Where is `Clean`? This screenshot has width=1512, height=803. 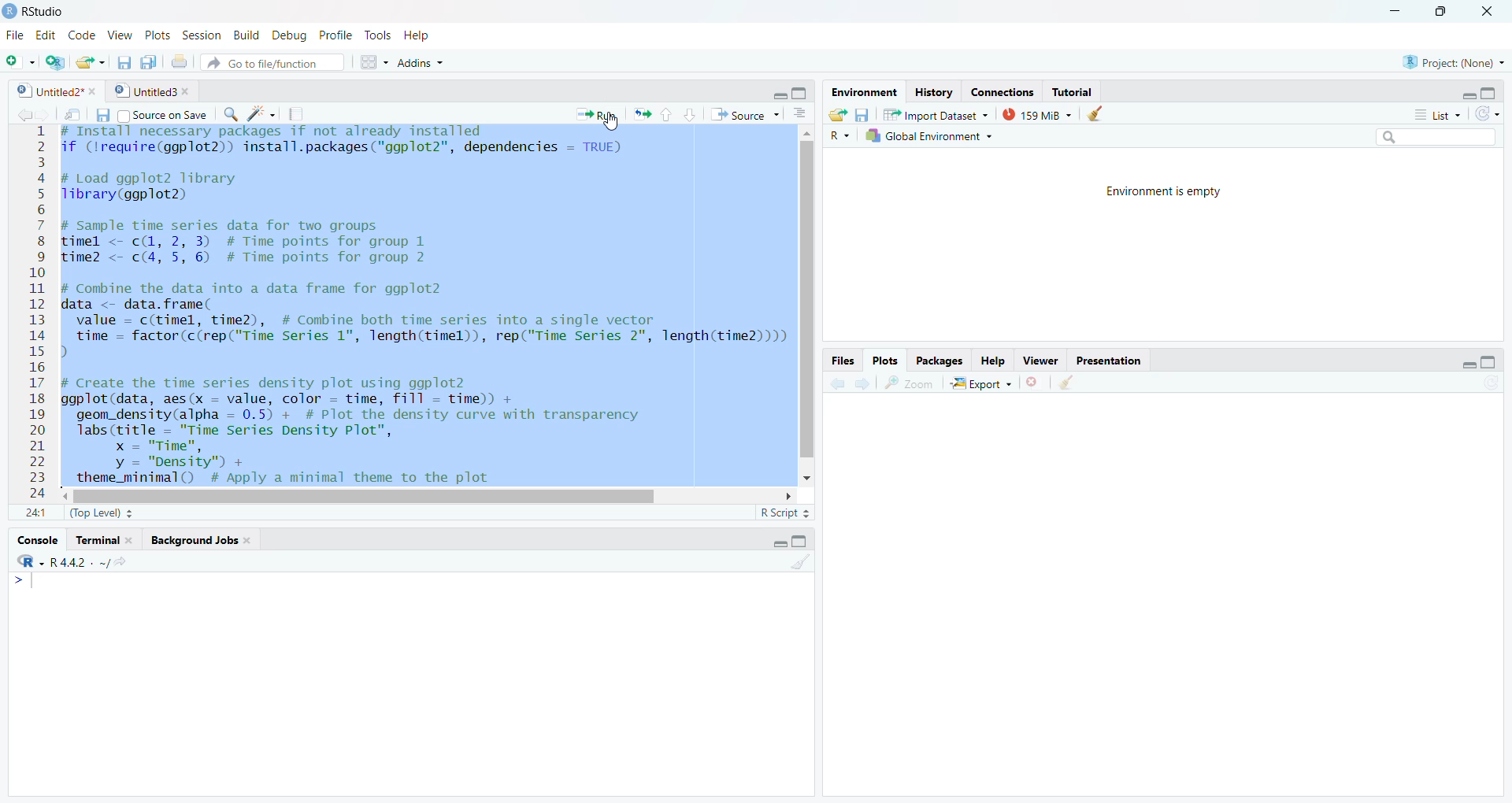 Clean is located at coordinates (1065, 382).